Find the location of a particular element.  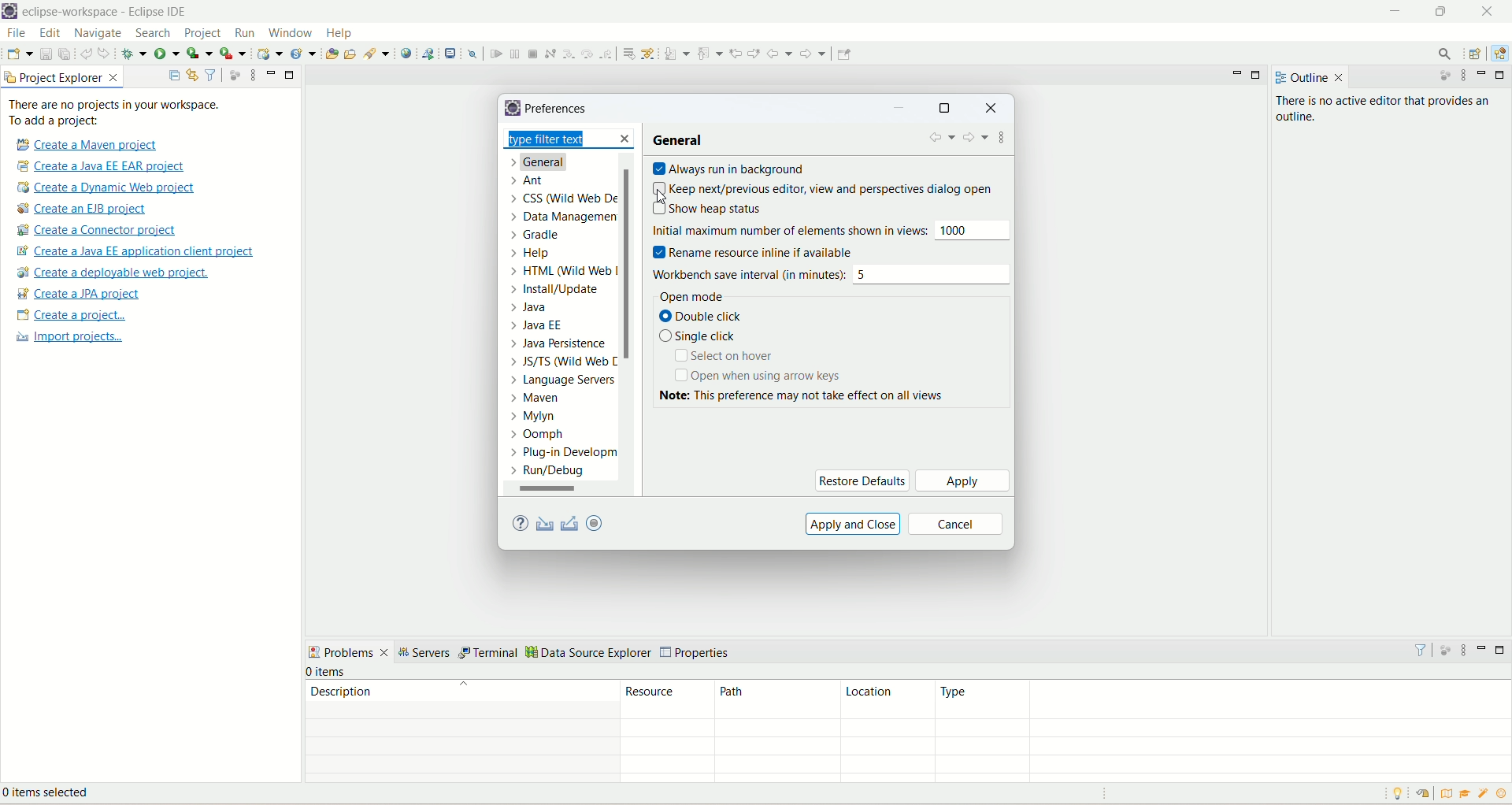

use step filters is located at coordinates (649, 53).